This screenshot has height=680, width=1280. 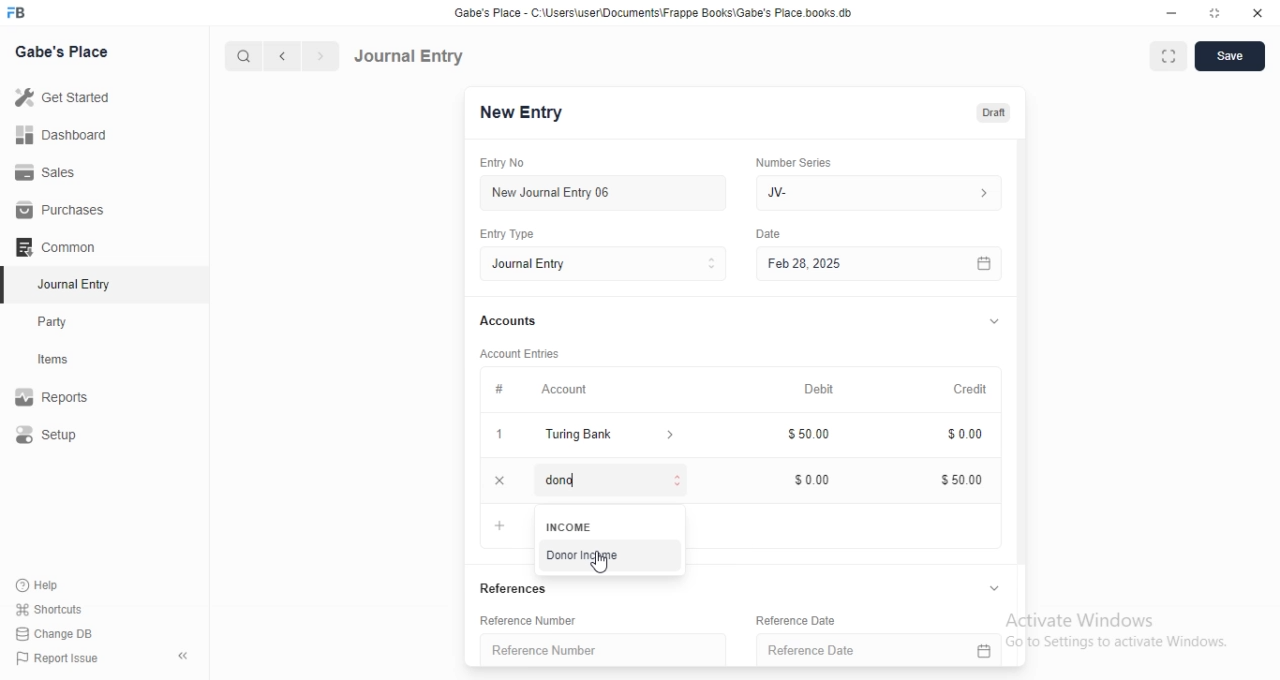 I want to click on Purchases, so click(x=63, y=210).